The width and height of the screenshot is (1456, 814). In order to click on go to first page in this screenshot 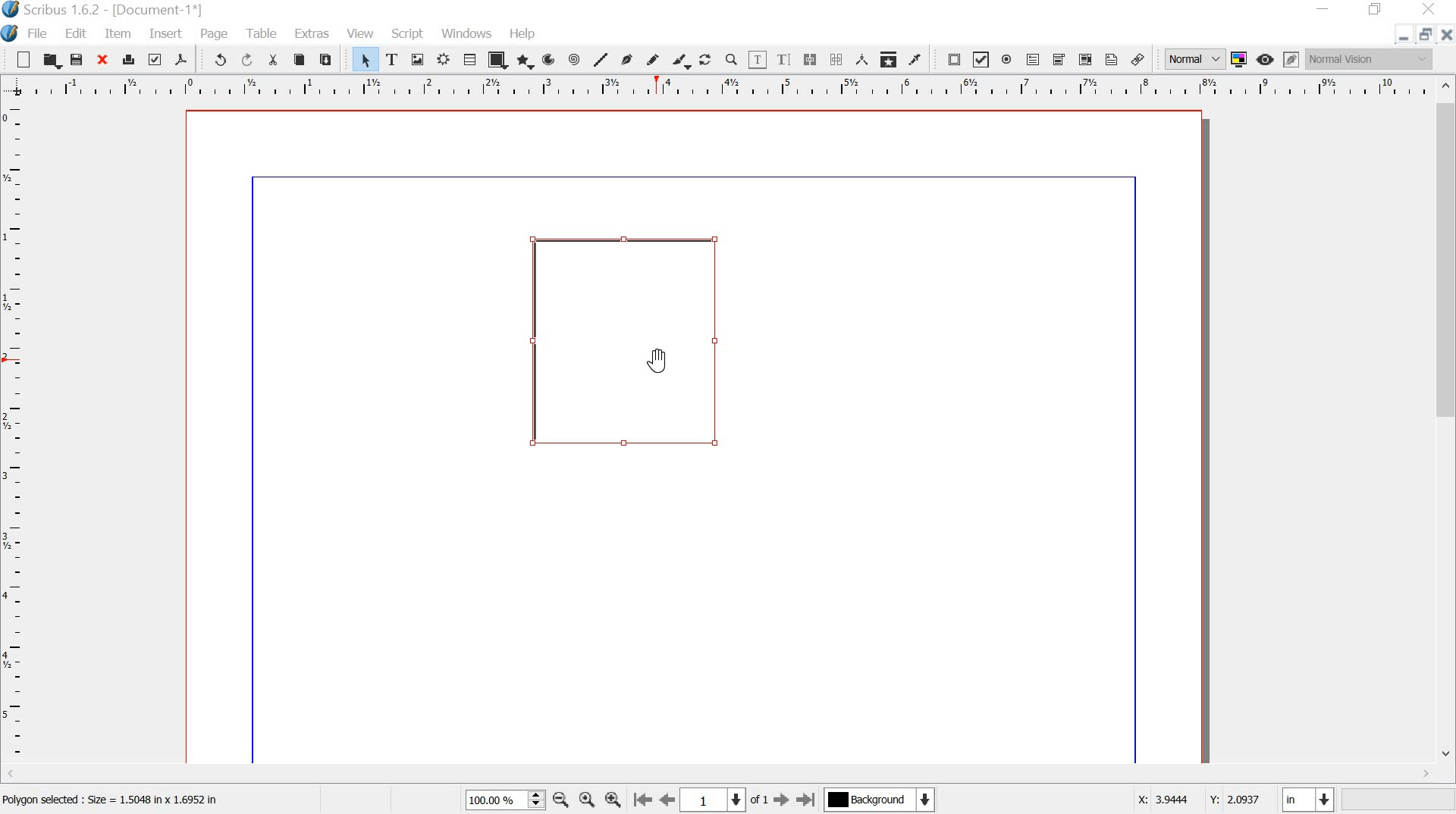, I will do `click(642, 800)`.